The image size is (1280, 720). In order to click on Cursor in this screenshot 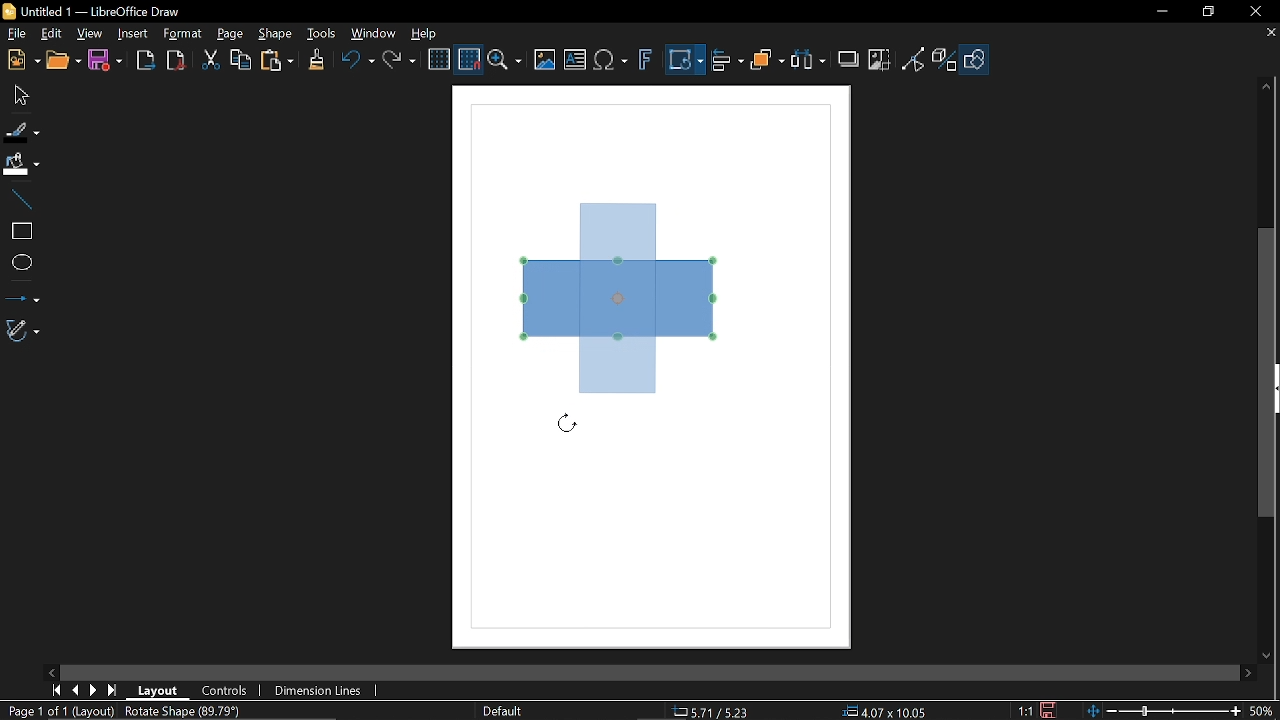, I will do `click(570, 424)`.